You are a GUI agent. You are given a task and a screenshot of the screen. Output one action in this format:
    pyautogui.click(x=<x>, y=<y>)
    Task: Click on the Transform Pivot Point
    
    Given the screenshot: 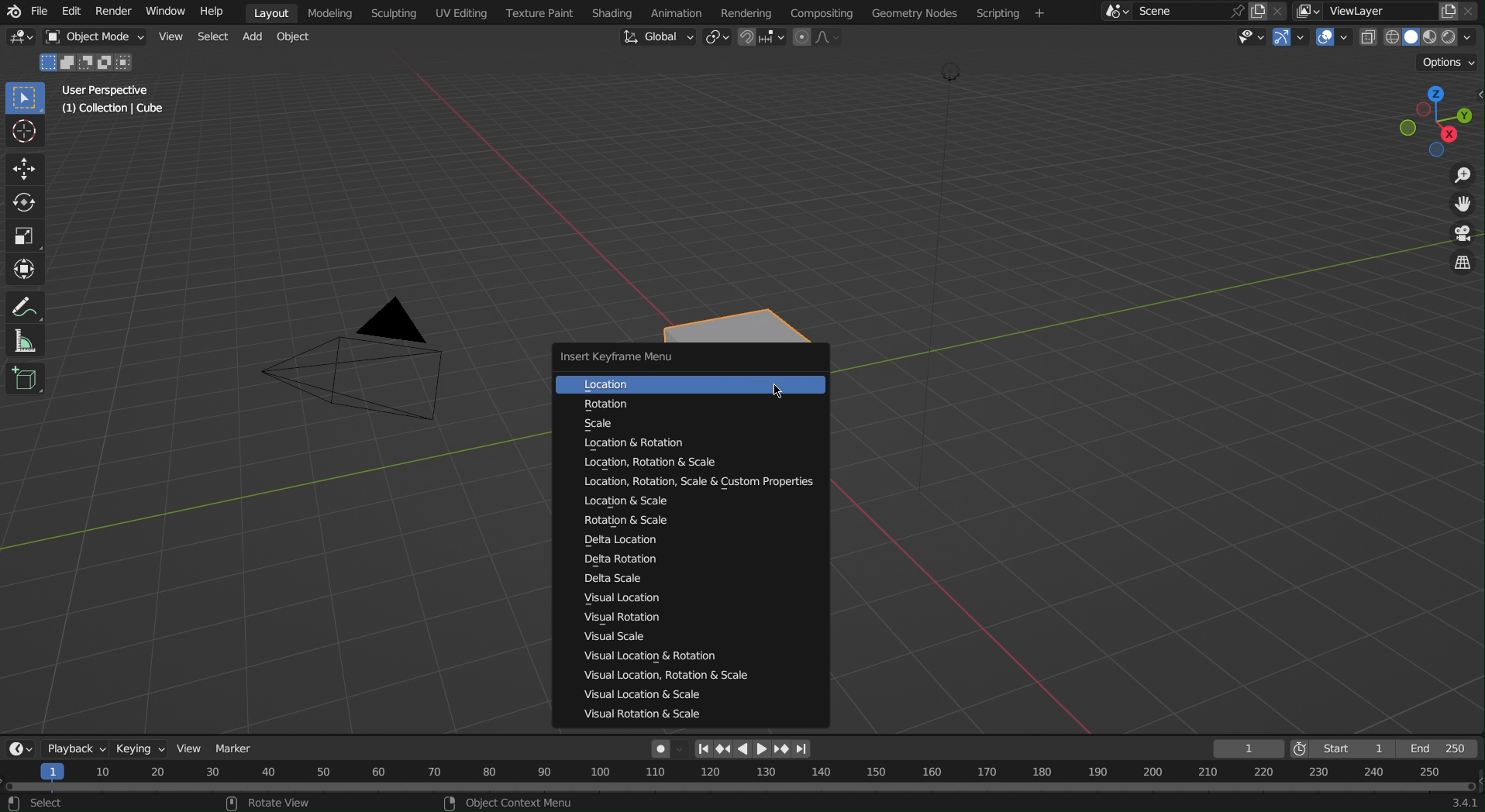 What is the action you would take?
    pyautogui.click(x=718, y=39)
    